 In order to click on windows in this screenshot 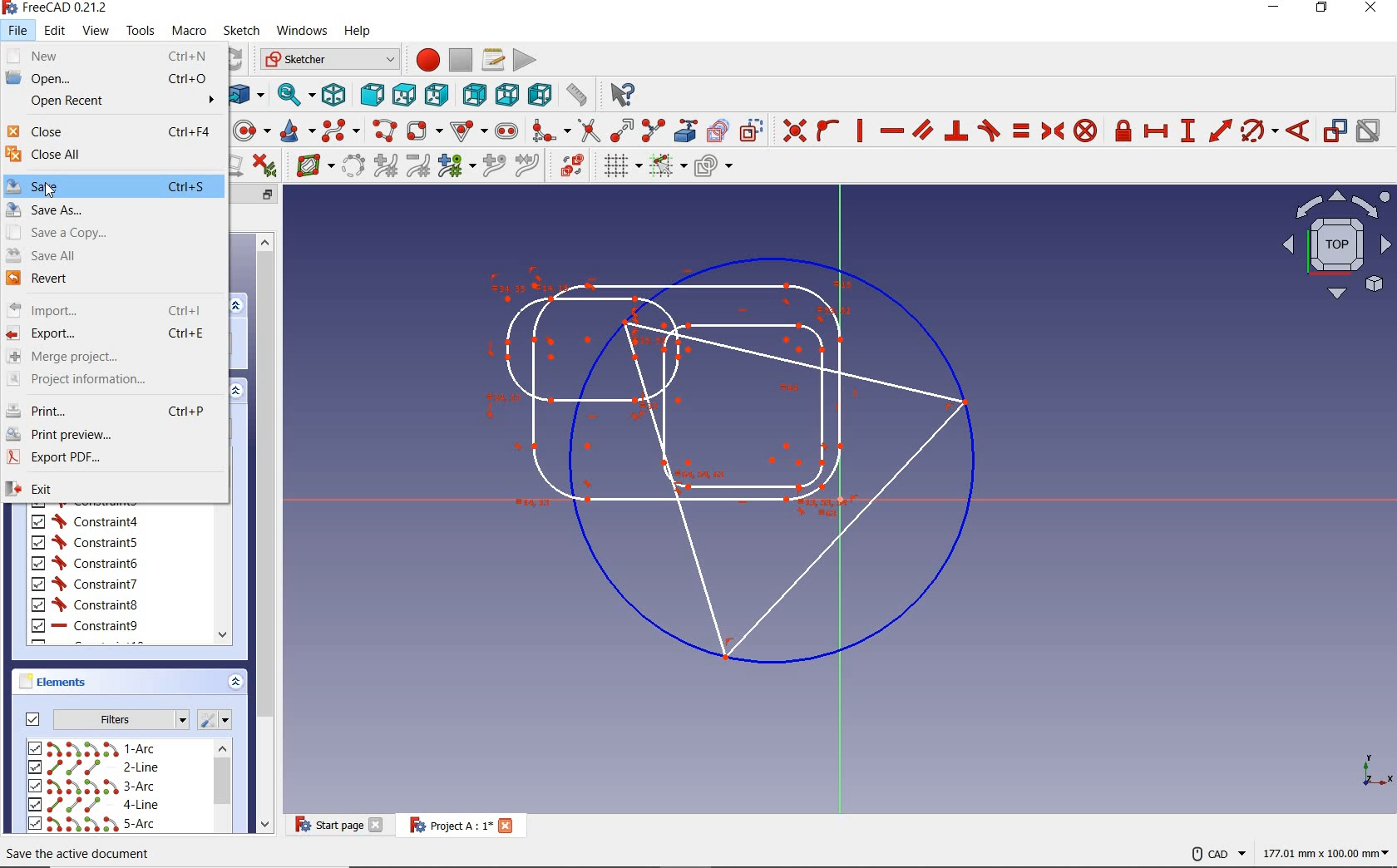, I will do `click(304, 31)`.